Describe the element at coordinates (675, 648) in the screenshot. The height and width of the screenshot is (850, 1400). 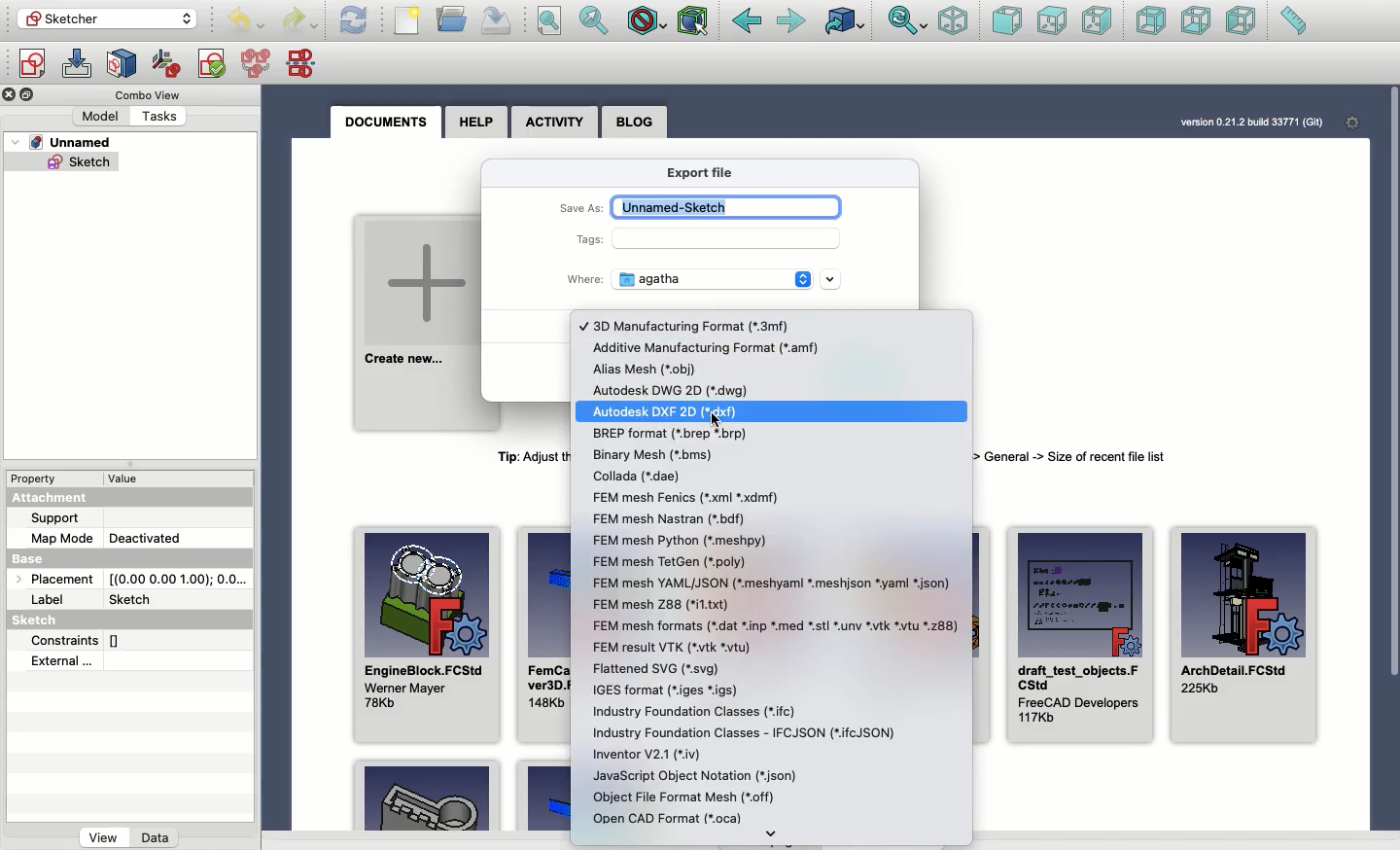
I see `vtk.vtu` at that location.